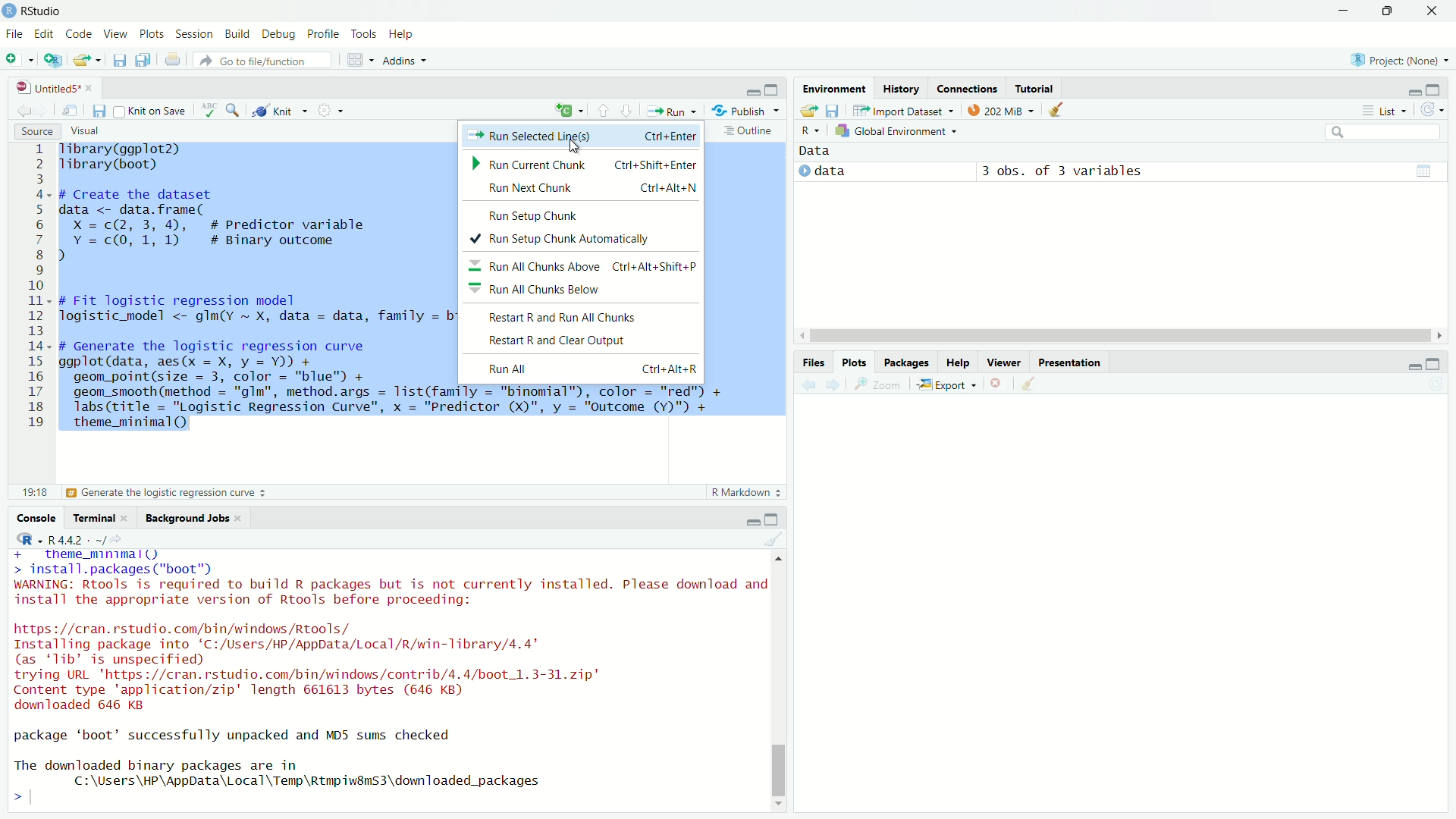  I want to click on 3 obs. of 3 variables, so click(1062, 172).